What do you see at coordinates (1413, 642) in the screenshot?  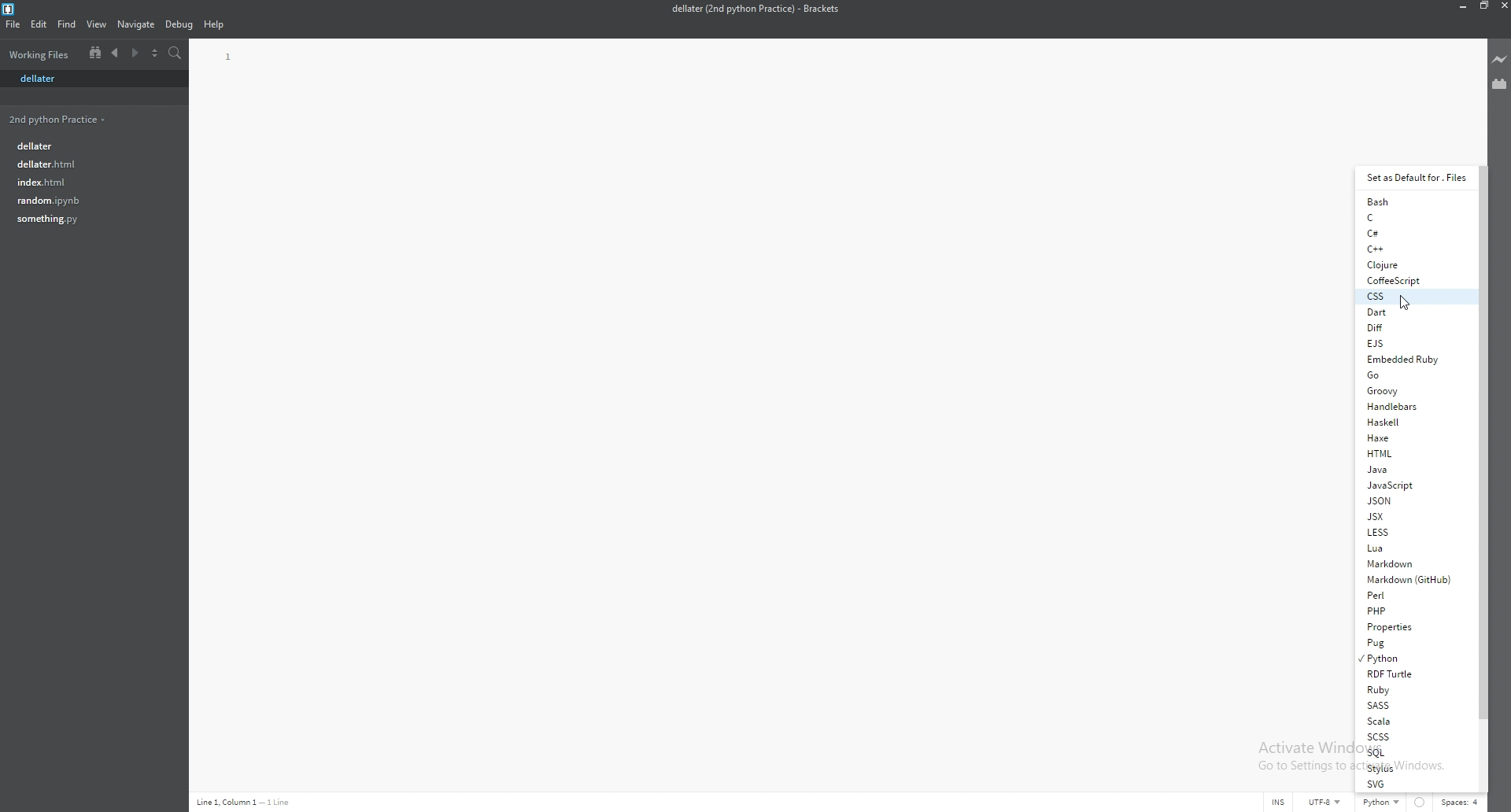 I see `pug` at bounding box center [1413, 642].